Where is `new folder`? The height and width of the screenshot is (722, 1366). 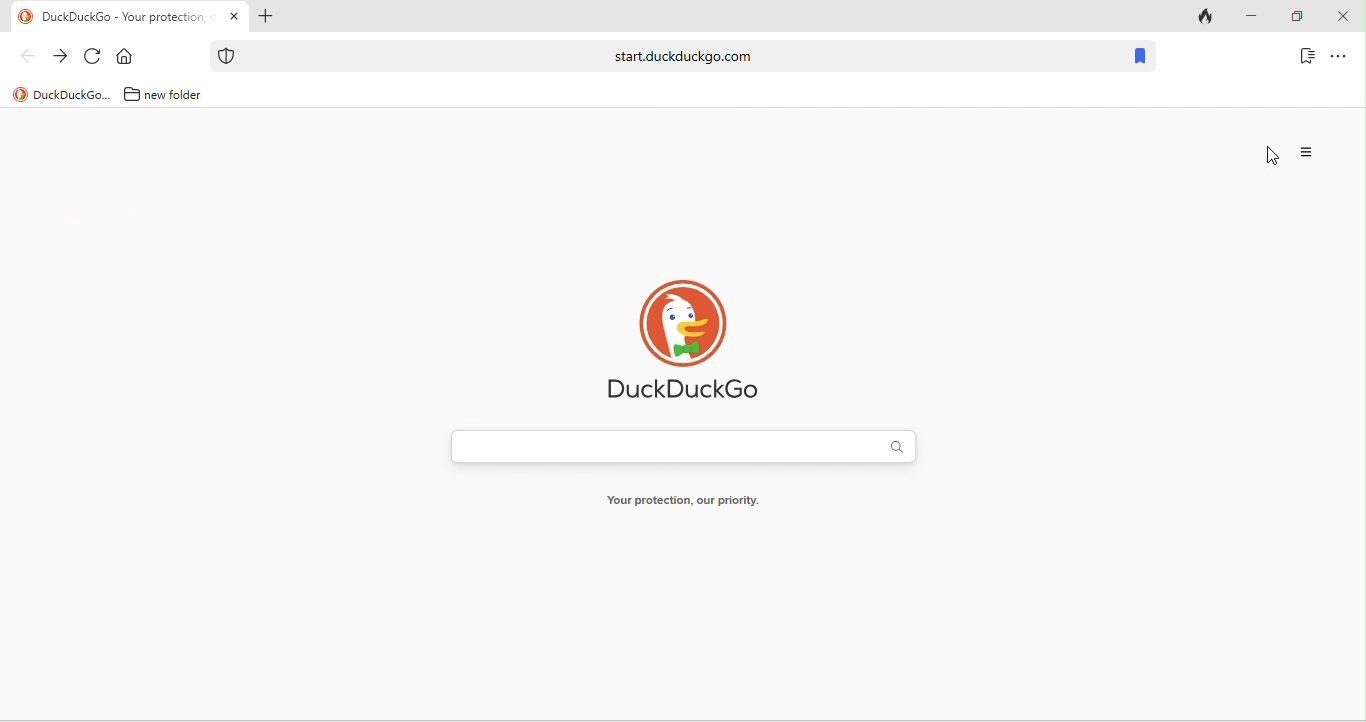
new folder is located at coordinates (166, 95).